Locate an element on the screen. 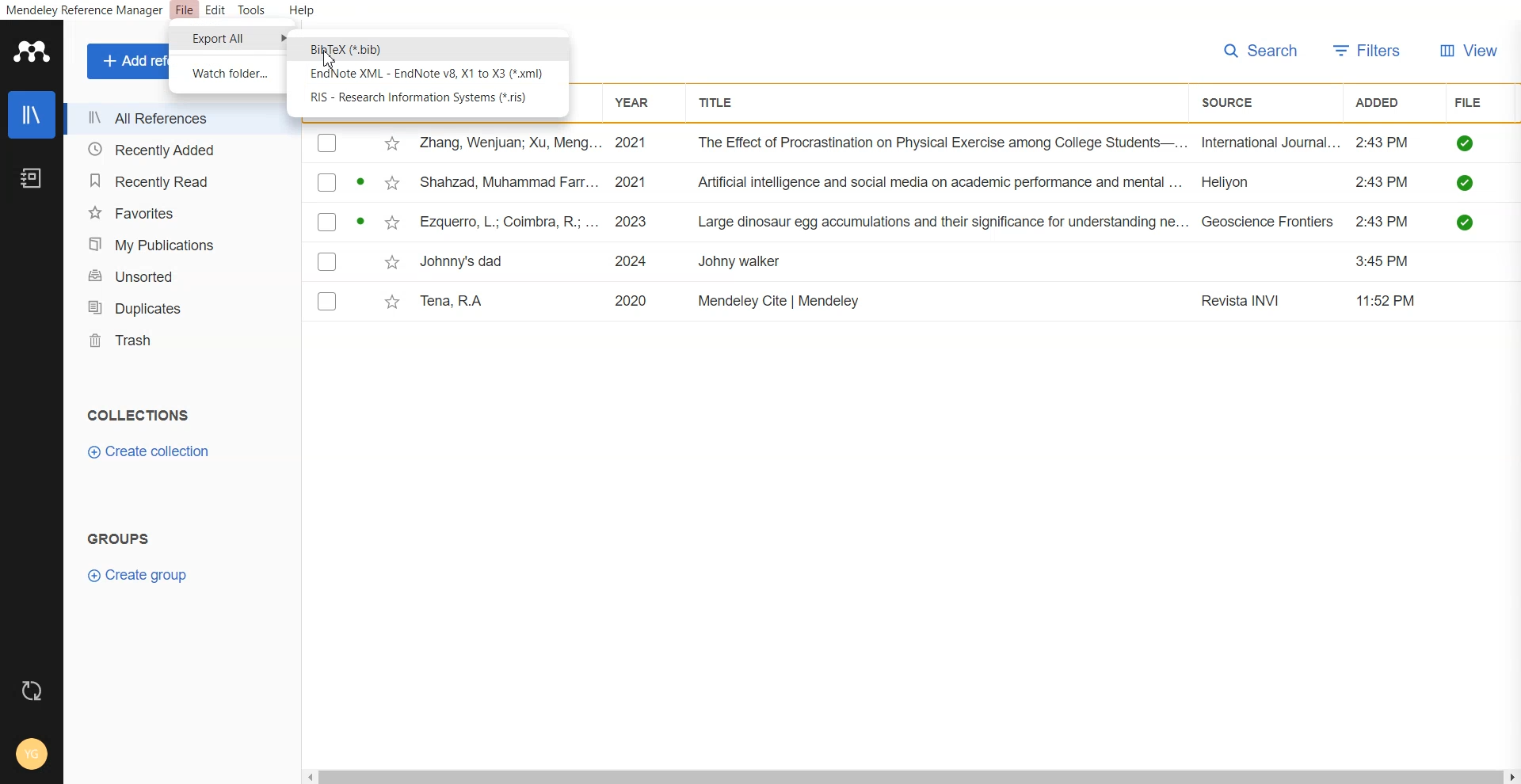 This screenshot has width=1521, height=784. Tools is located at coordinates (250, 10).